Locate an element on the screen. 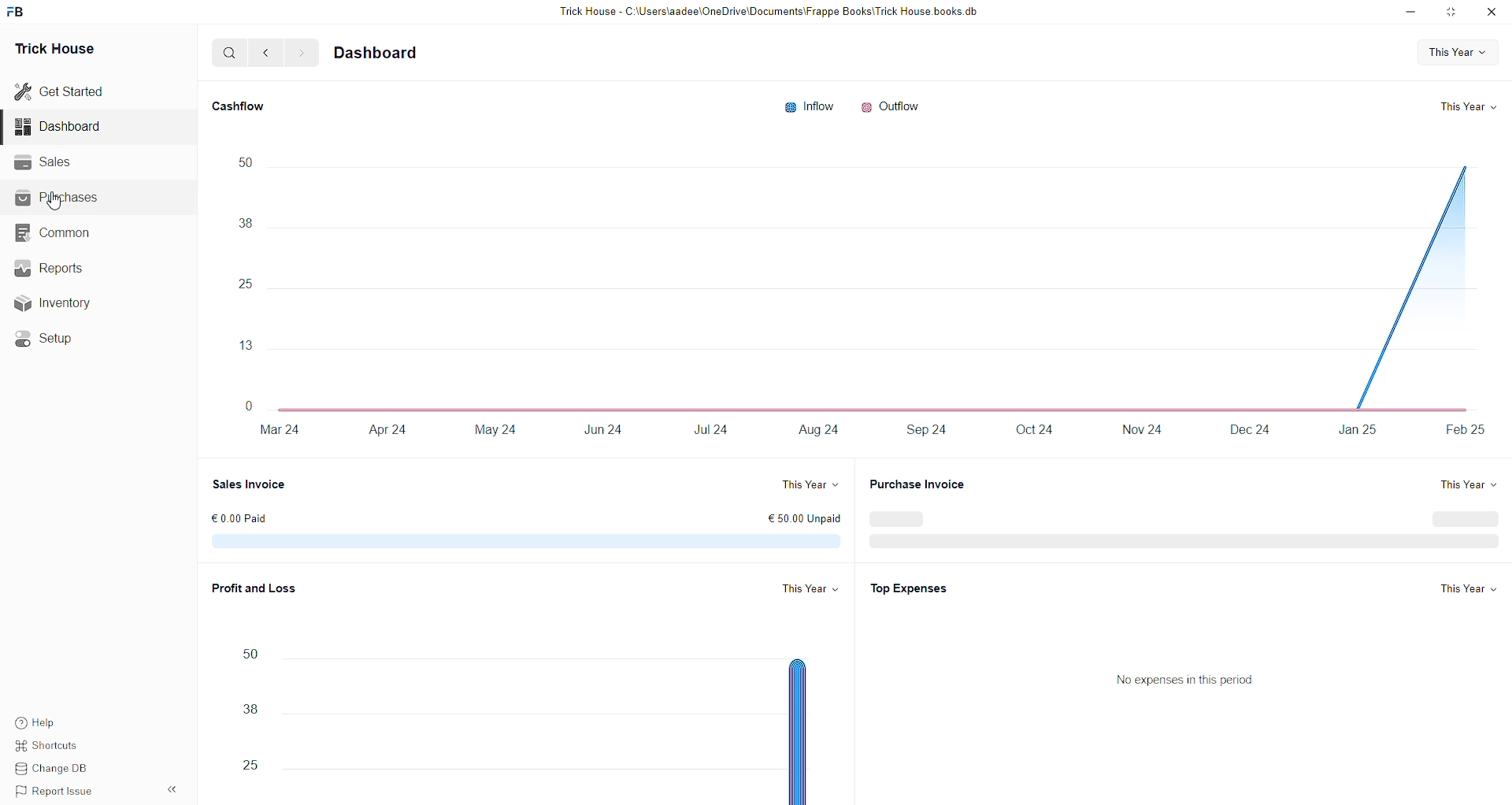 Image resolution: width=1512 pixels, height=805 pixels. May 24 is located at coordinates (495, 428).